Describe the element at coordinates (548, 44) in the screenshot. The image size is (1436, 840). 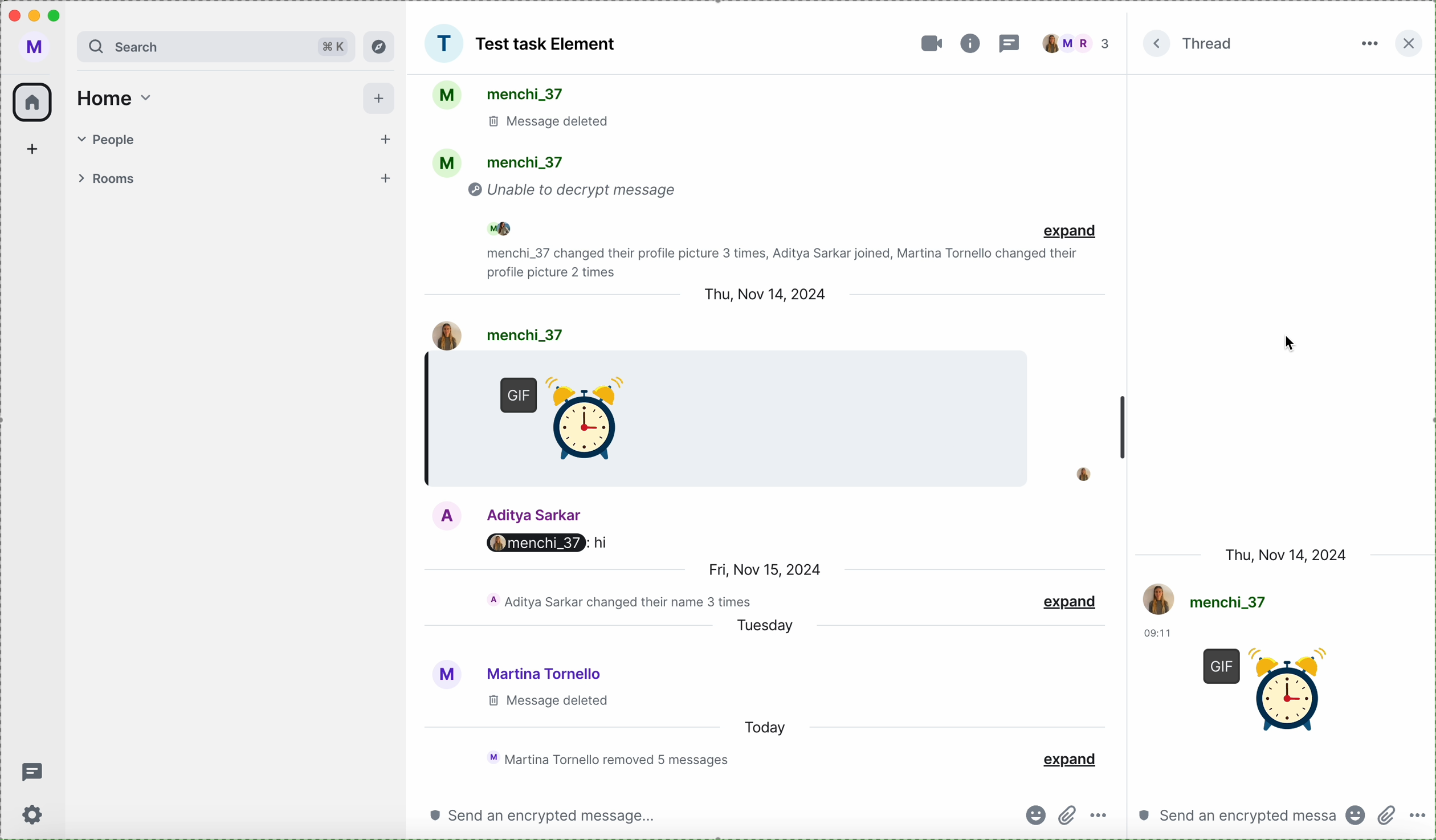
I see `Test Task Element` at that location.